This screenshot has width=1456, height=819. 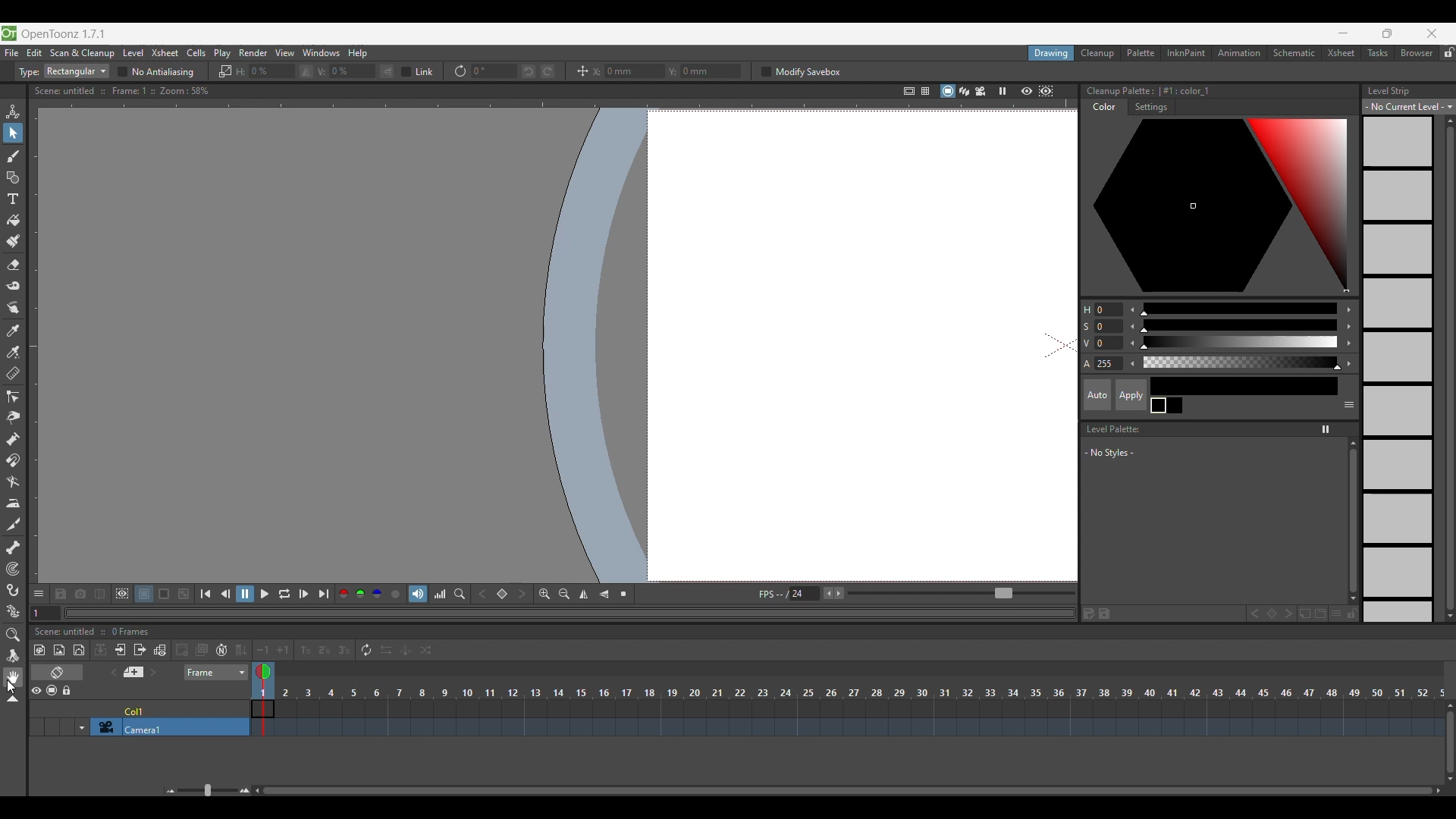 I want to click on Level, so click(x=133, y=53).